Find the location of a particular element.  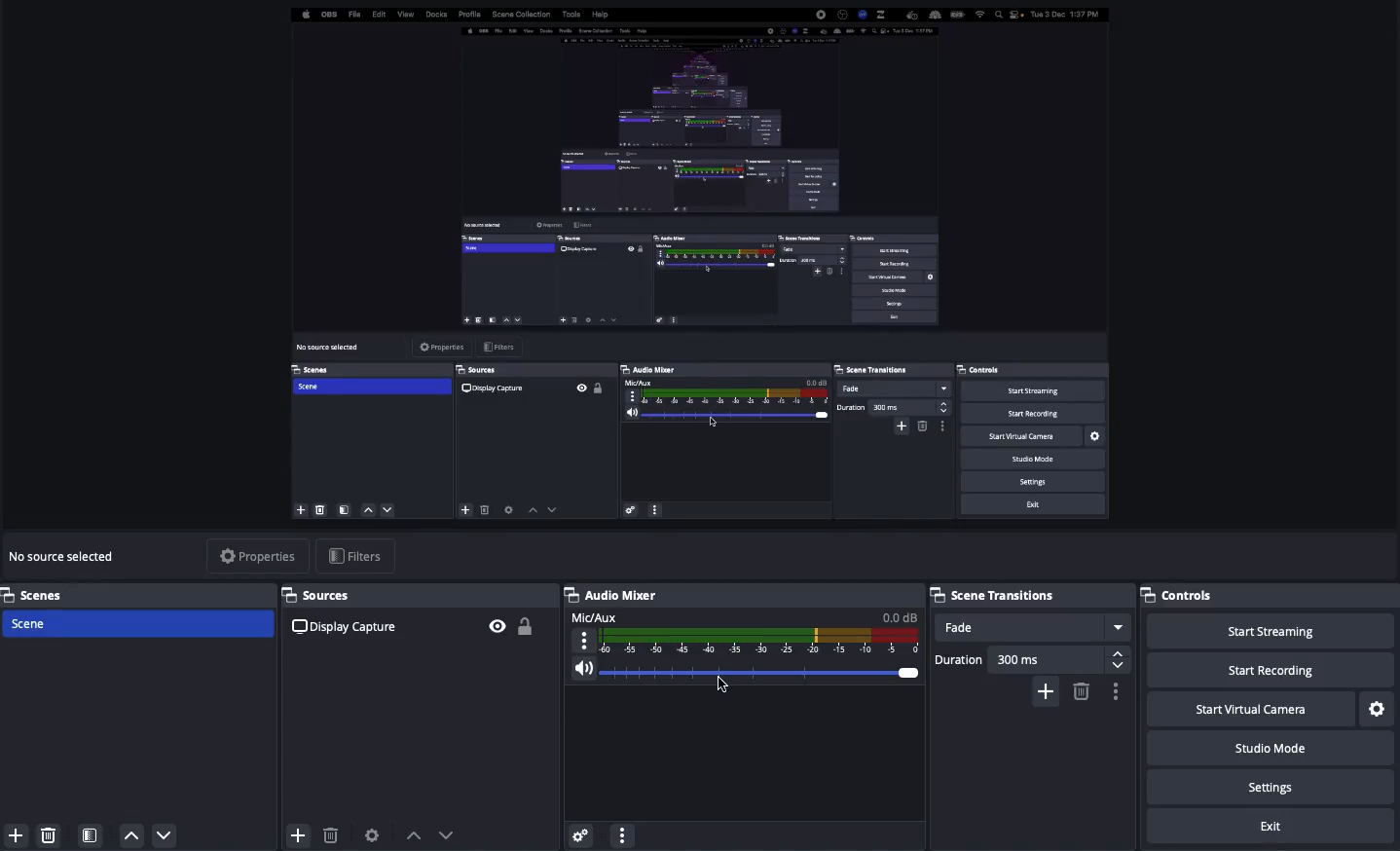

Fade is located at coordinates (1035, 627).